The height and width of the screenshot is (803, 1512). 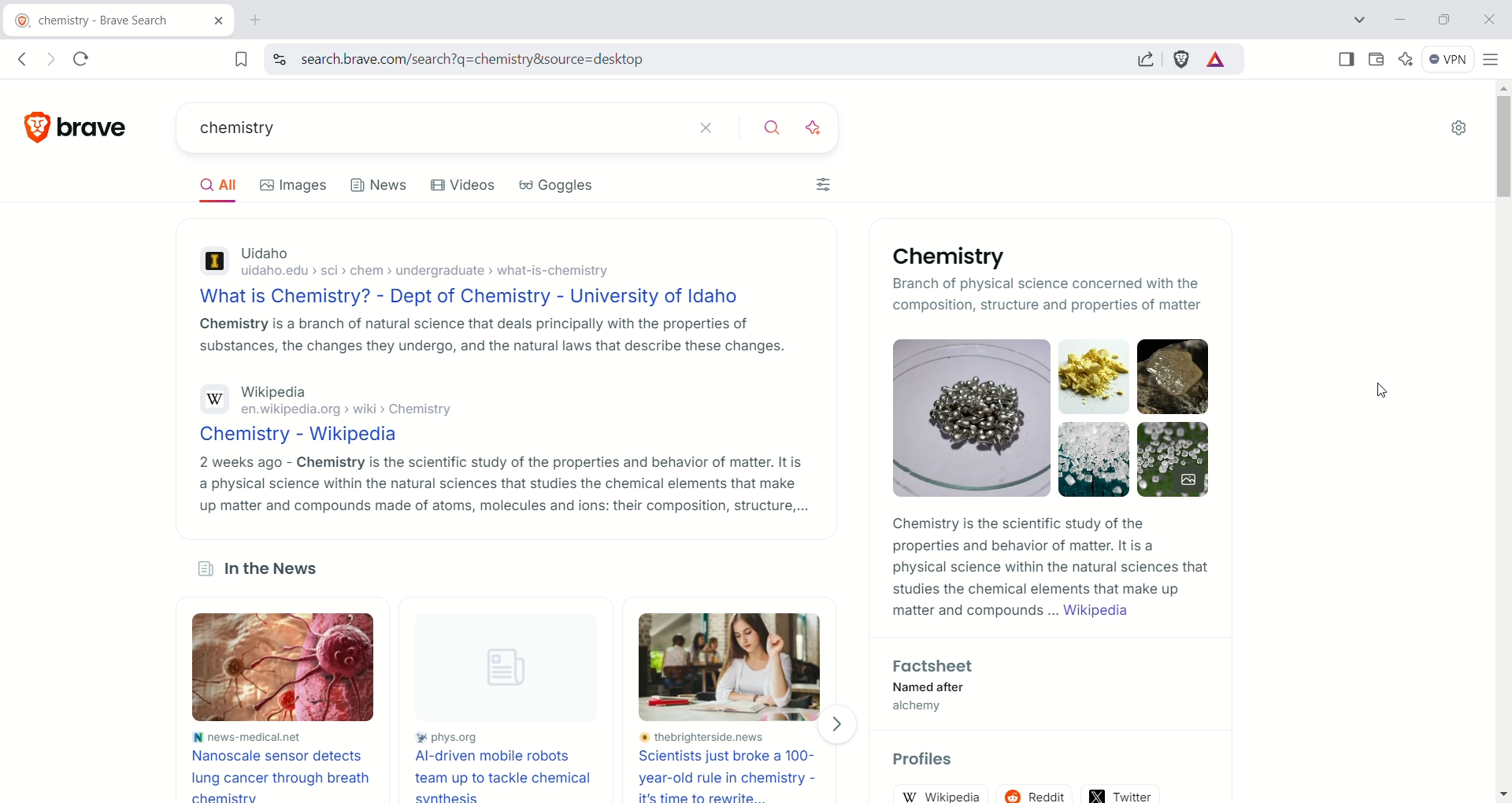 What do you see at coordinates (474, 274) in the screenshot?
I see `Uidaho uidaho.edu › sci › chem › undergraduate › what-is-chemistry What is Chemistry? - Dept of Chemistry - University of Idaho` at bounding box center [474, 274].